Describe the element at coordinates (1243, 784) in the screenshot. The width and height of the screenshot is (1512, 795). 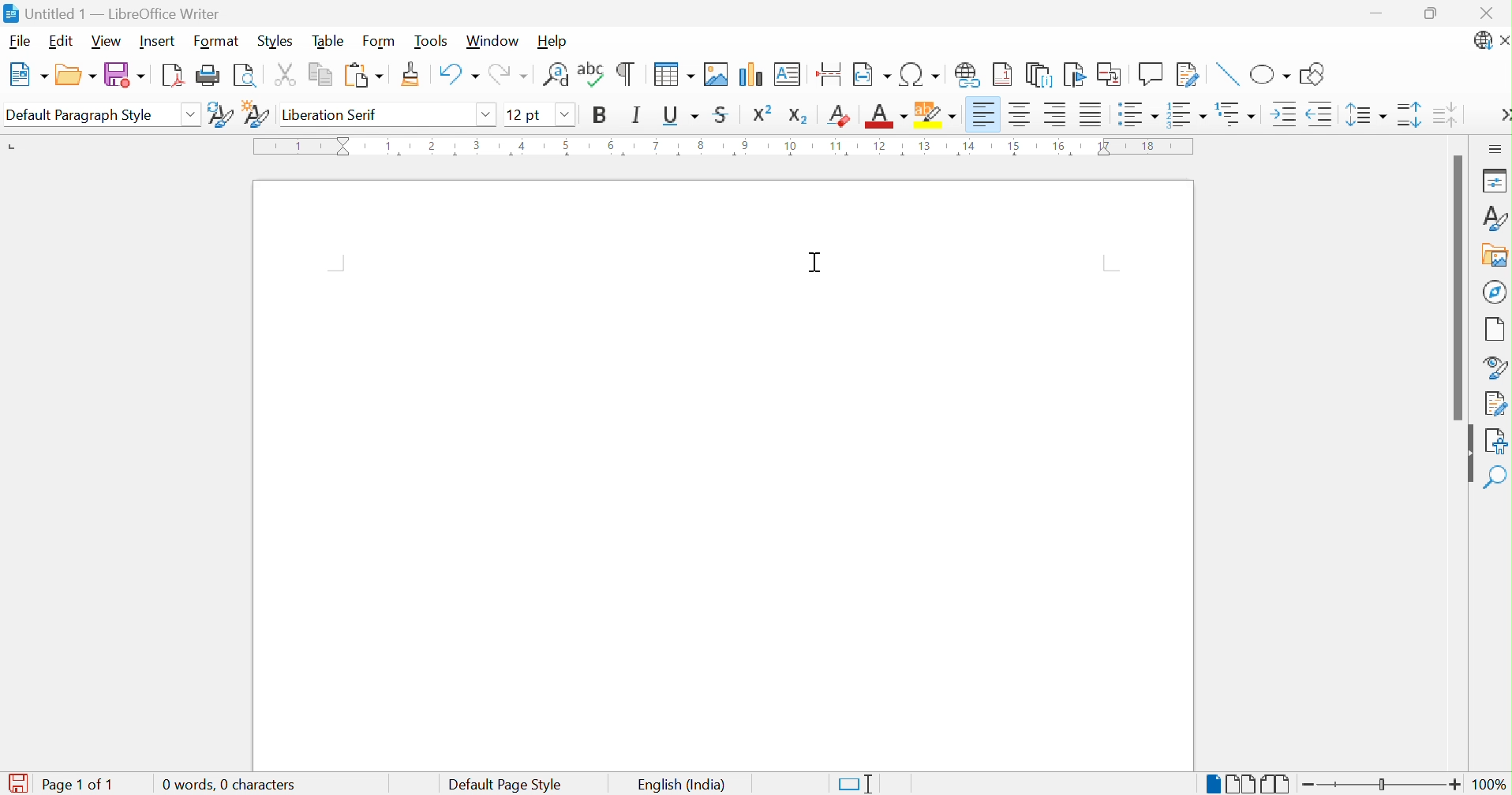
I see `Multiple-page view` at that location.